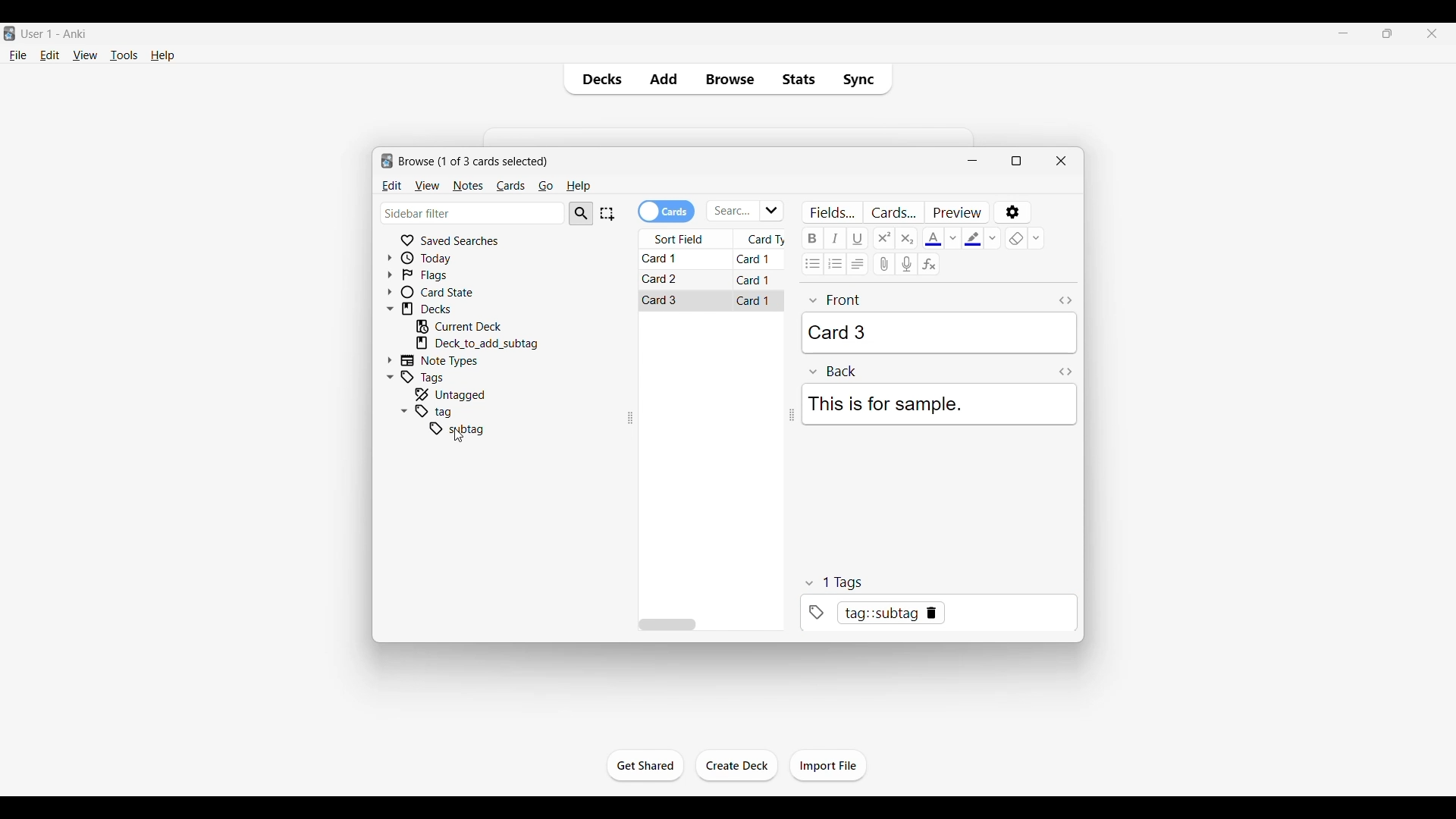 The width and height of the screenshot is (1456, 819). I want to click on Card 1, so click(666, 260).